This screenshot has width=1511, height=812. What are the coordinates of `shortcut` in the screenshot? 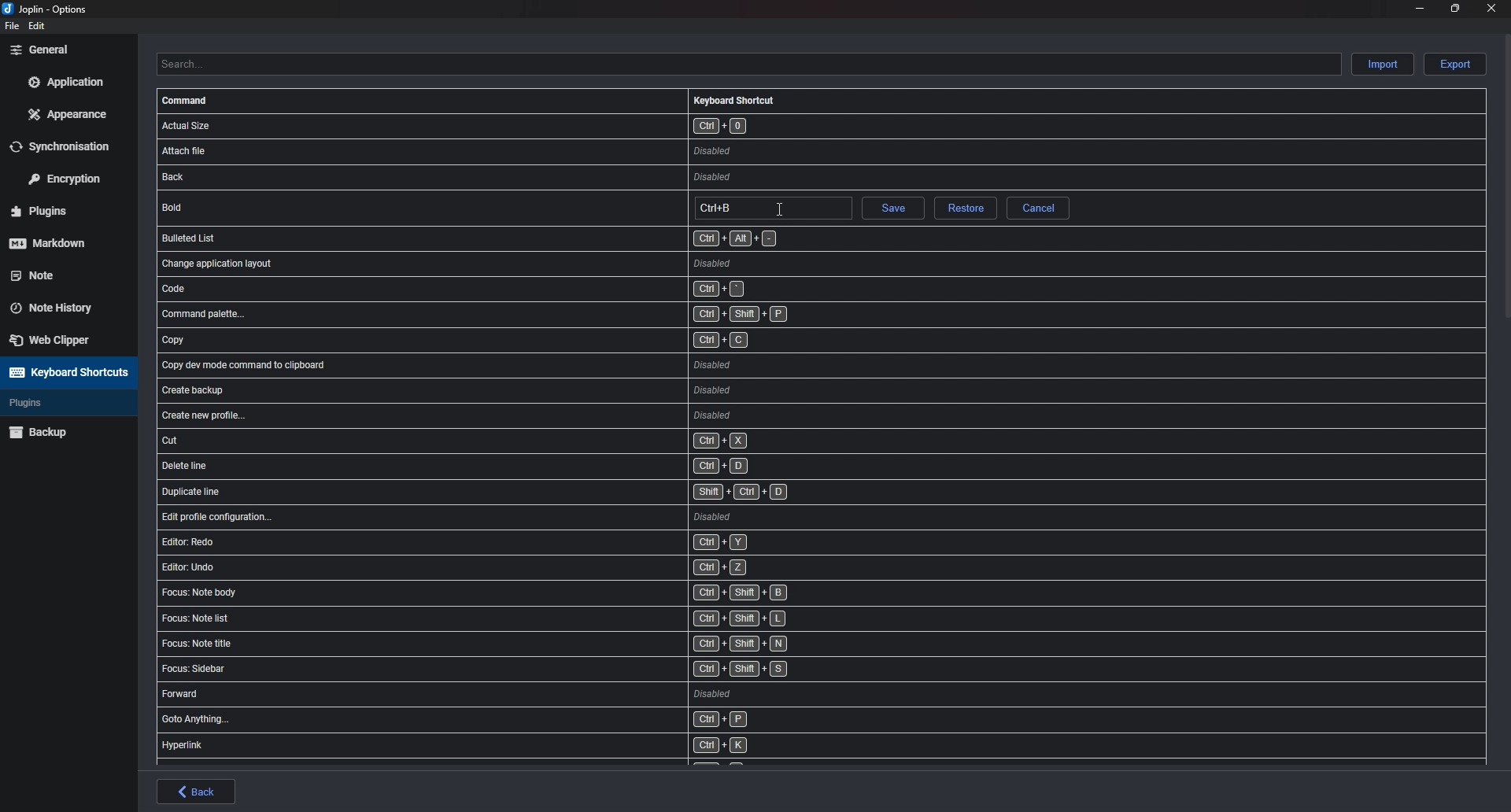 It's located at (535, 315).